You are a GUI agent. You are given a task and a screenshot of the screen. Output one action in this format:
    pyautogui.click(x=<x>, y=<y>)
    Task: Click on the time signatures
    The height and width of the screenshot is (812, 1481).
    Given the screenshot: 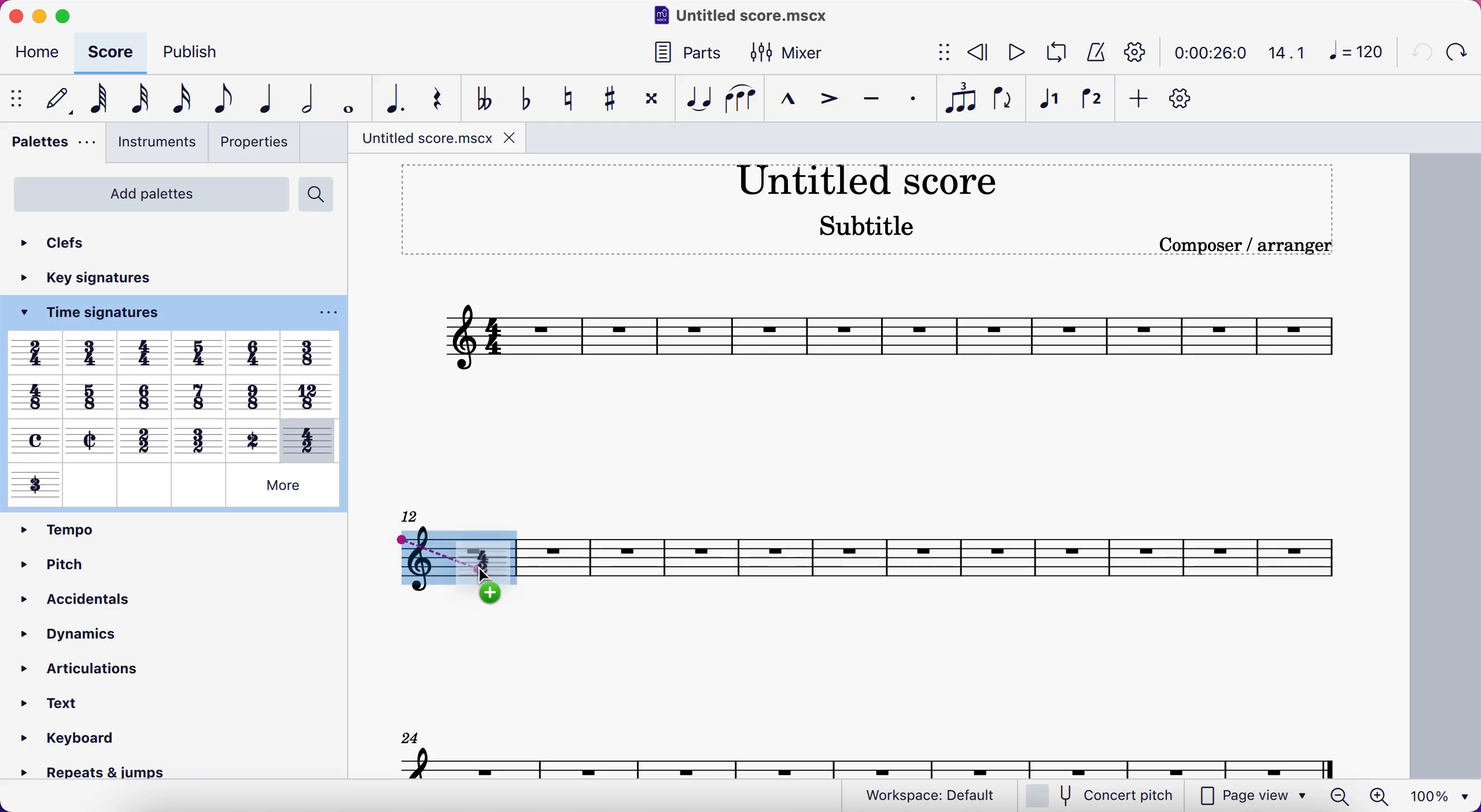 What is the action you would take?
    pyautogui.click(x=105, y=316)
    